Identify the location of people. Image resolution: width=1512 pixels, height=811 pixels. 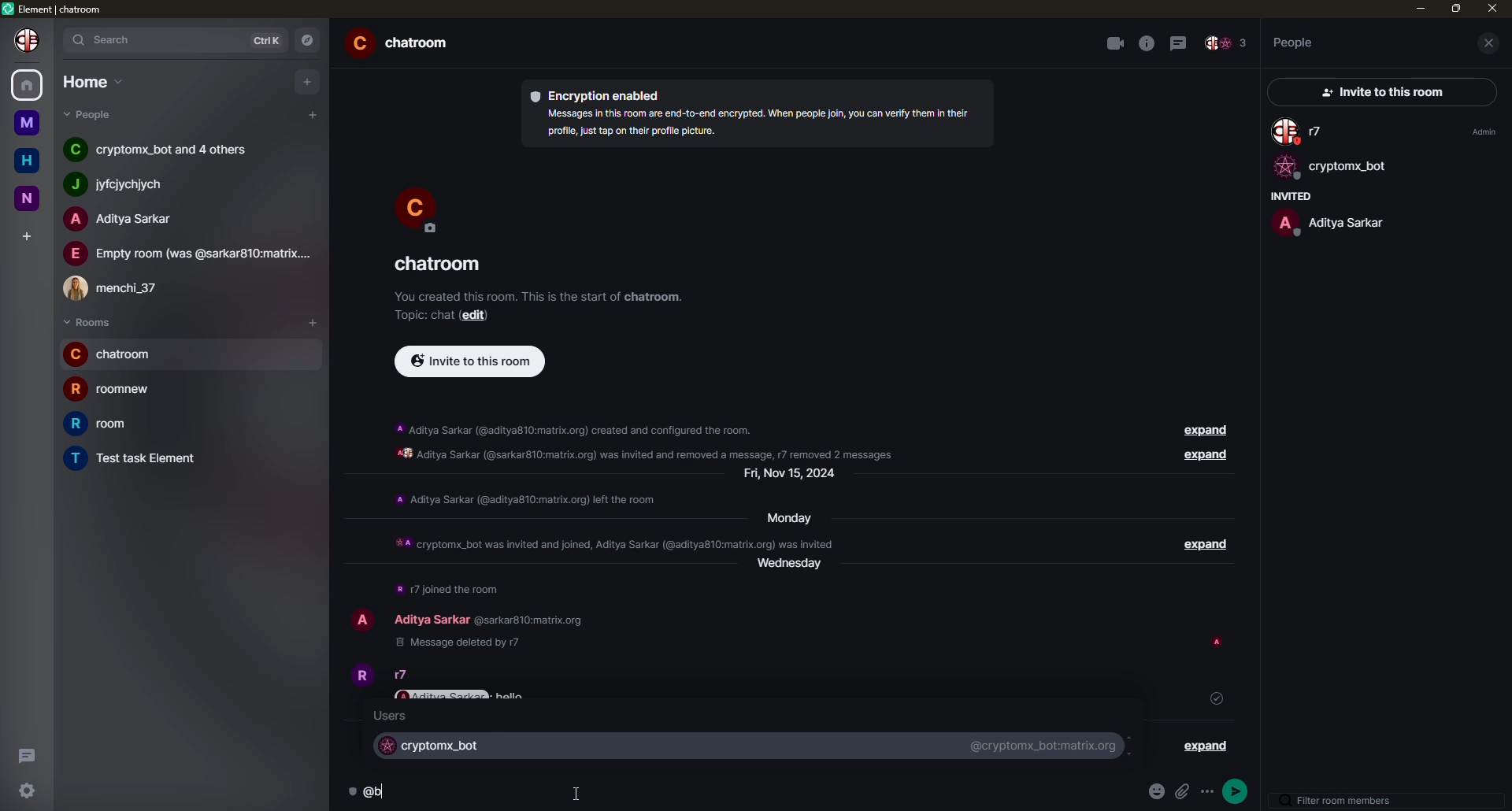
(405, 675).